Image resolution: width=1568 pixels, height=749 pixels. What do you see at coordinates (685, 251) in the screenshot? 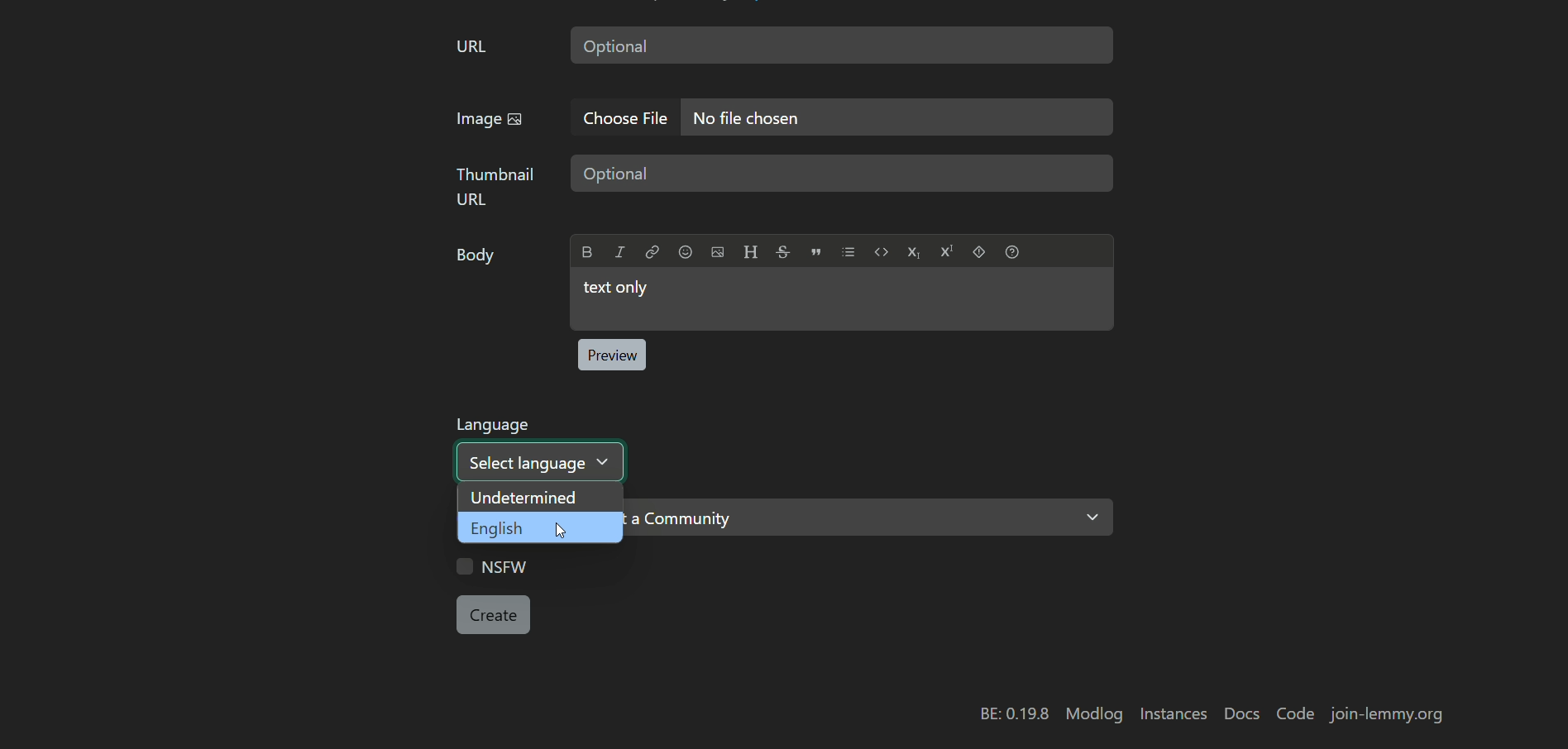
I see `Emoji` at bounding box center [685, 251].